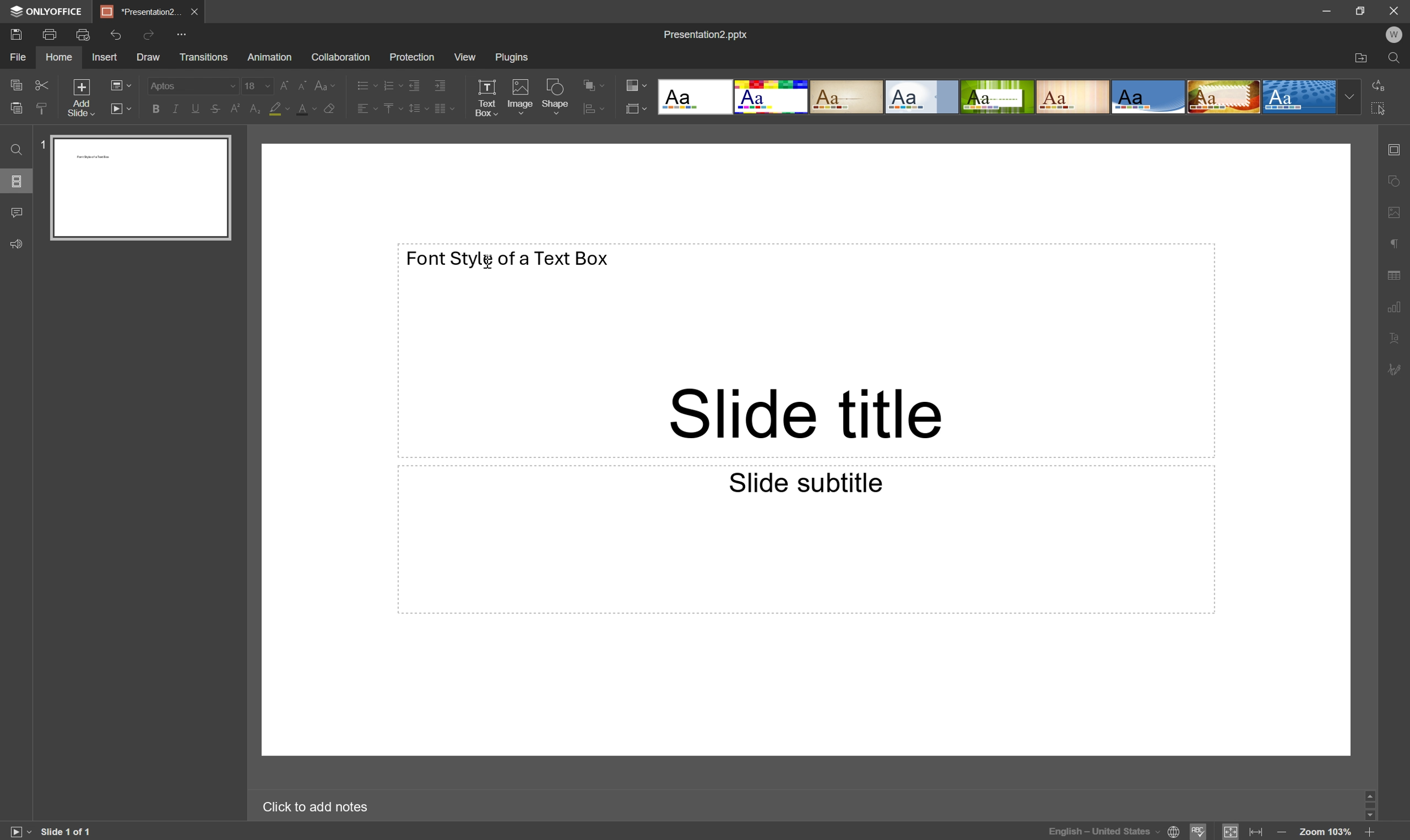 This screenshot has height=840, width=1410. What do you see at coordinates (636, 85) in the screenshot?
I see `Change color theme` at bounding box center [636, 85].